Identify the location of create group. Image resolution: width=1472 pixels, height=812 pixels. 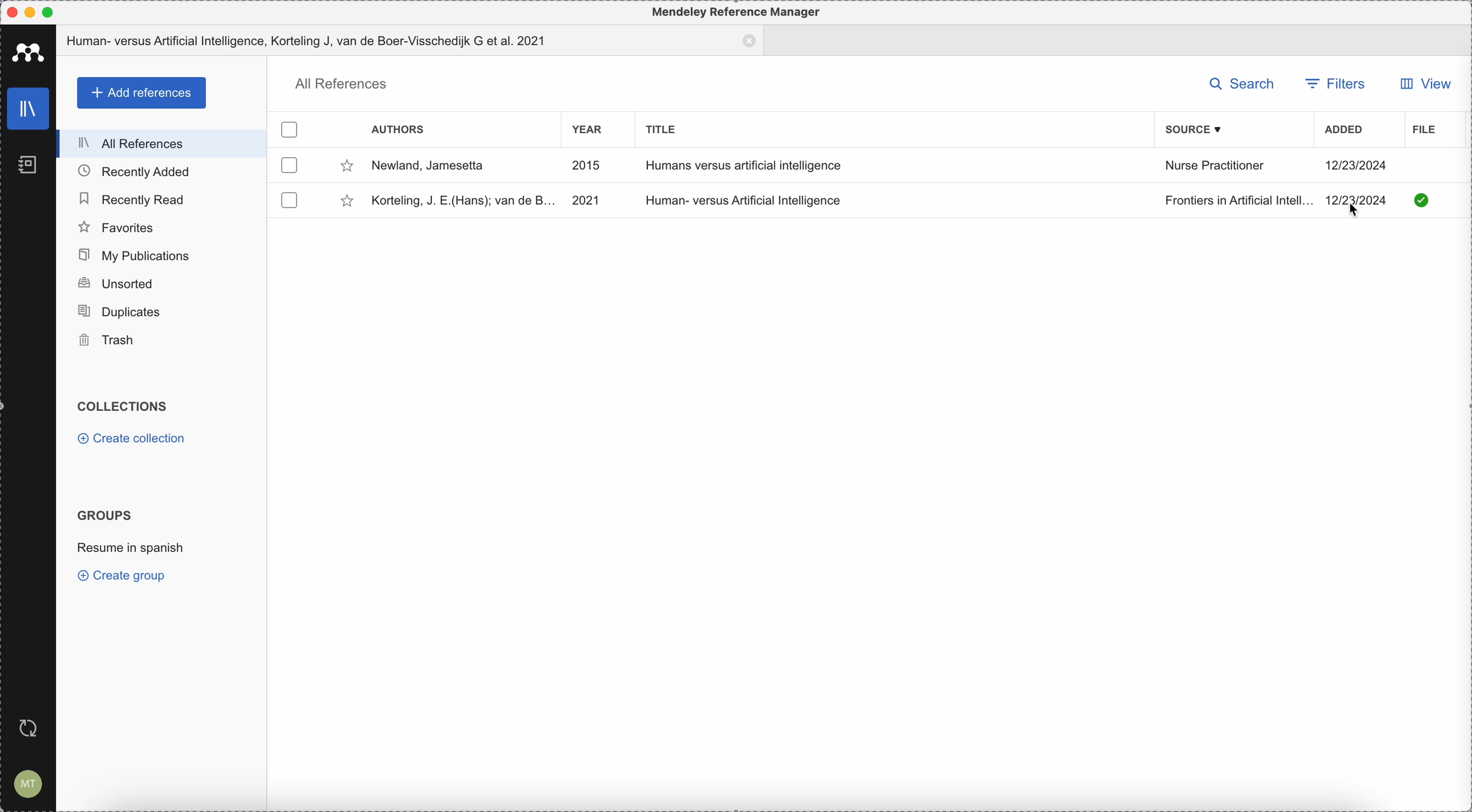
(125, 577).